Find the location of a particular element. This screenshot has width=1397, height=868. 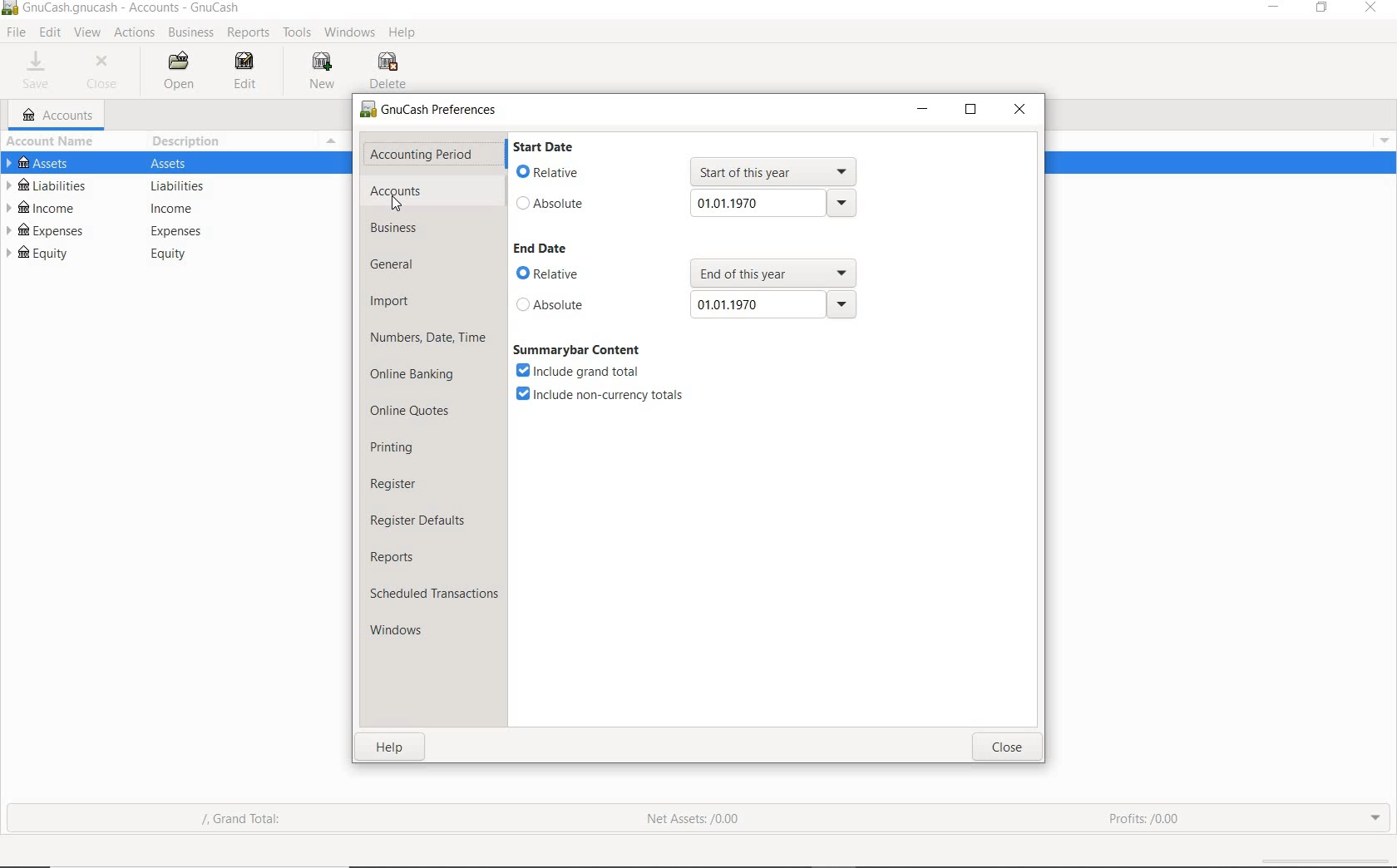

absolute is located at coordinates (565, 306).